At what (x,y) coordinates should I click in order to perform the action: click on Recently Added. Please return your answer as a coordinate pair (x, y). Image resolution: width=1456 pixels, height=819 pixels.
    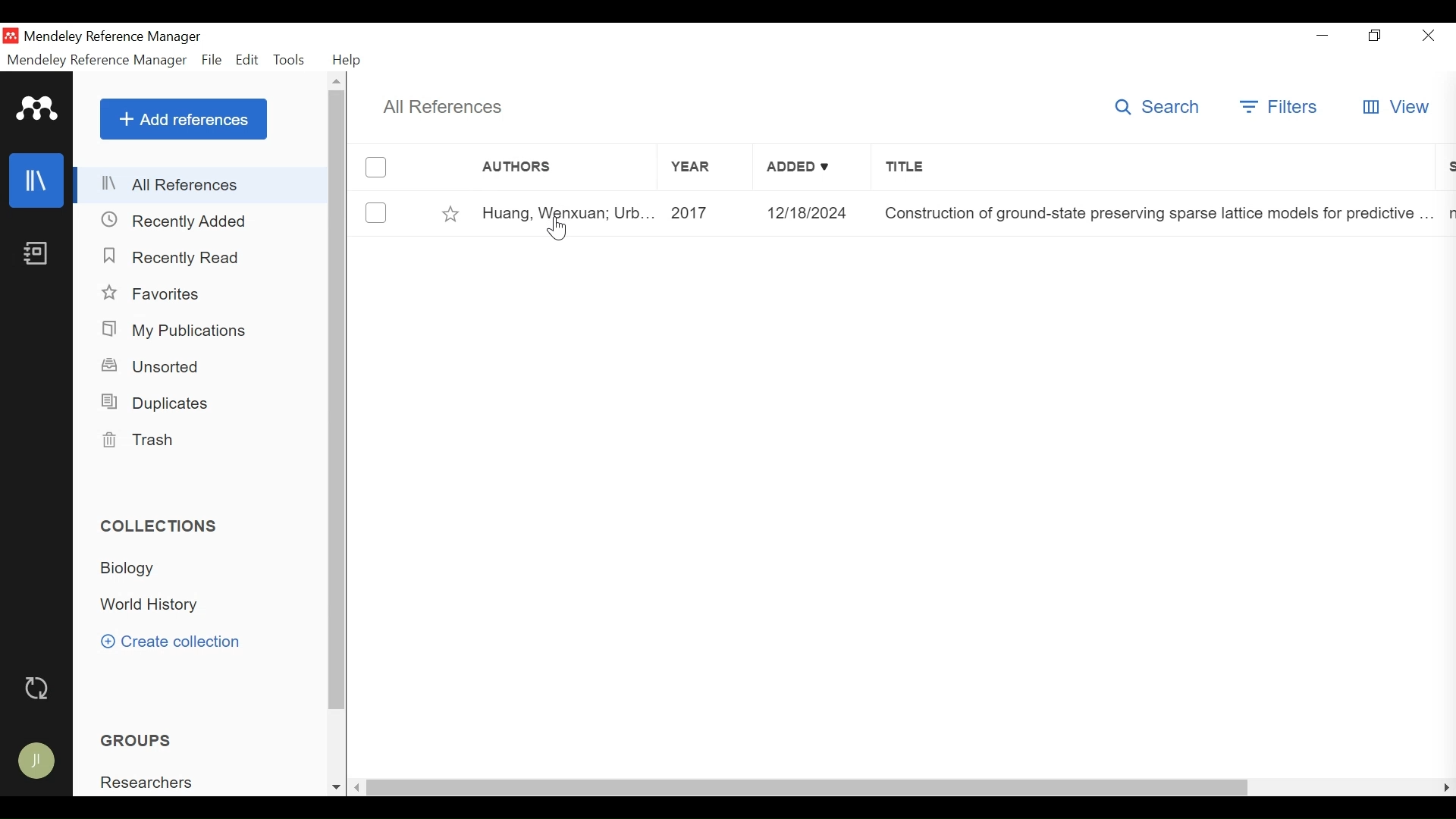
    Looking at the image, I should click on (174, 221).